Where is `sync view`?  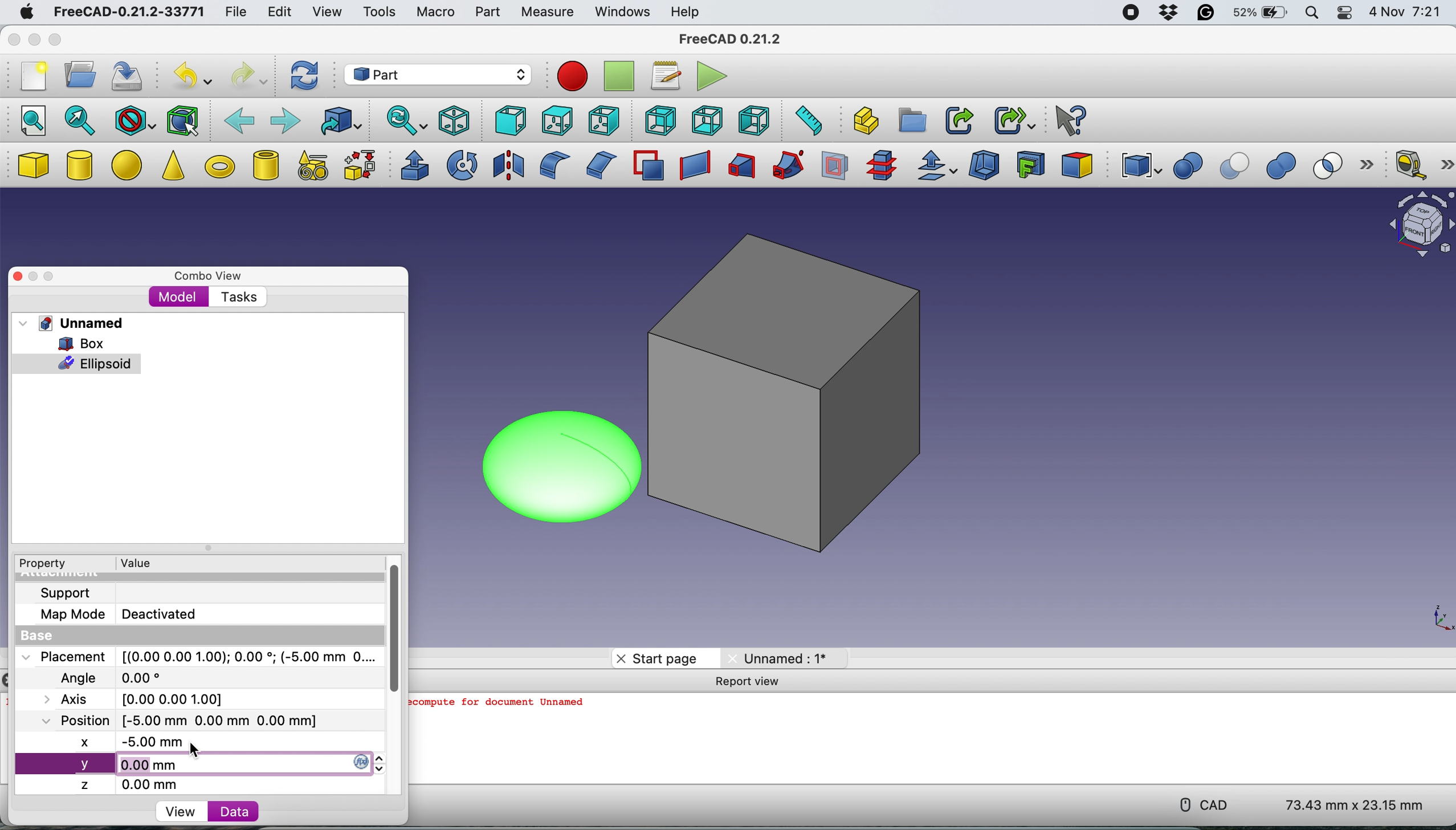 sync view is located at coordinates (404, 122).